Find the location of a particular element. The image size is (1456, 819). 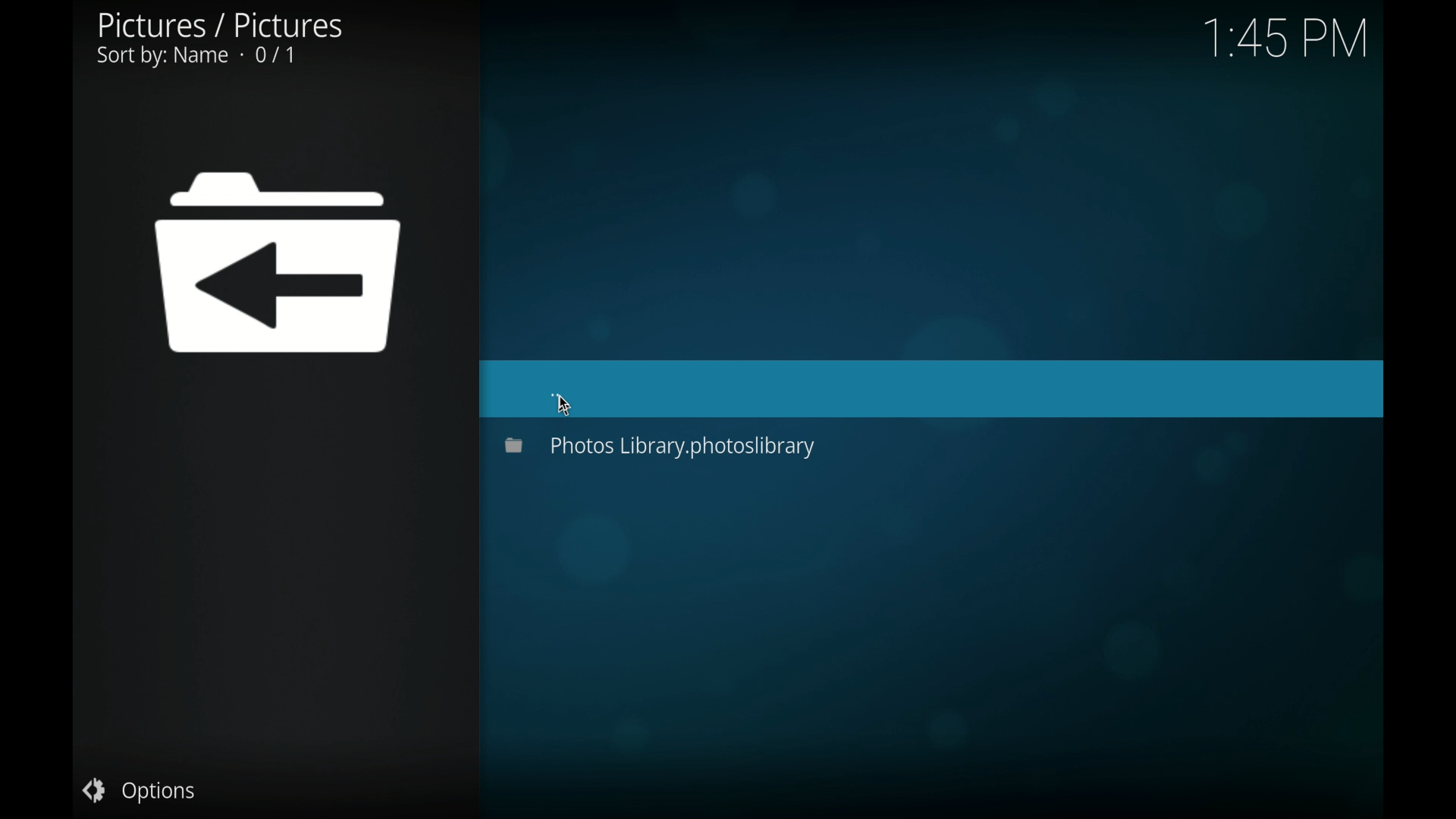

time is located at coordinates (1285, 39).